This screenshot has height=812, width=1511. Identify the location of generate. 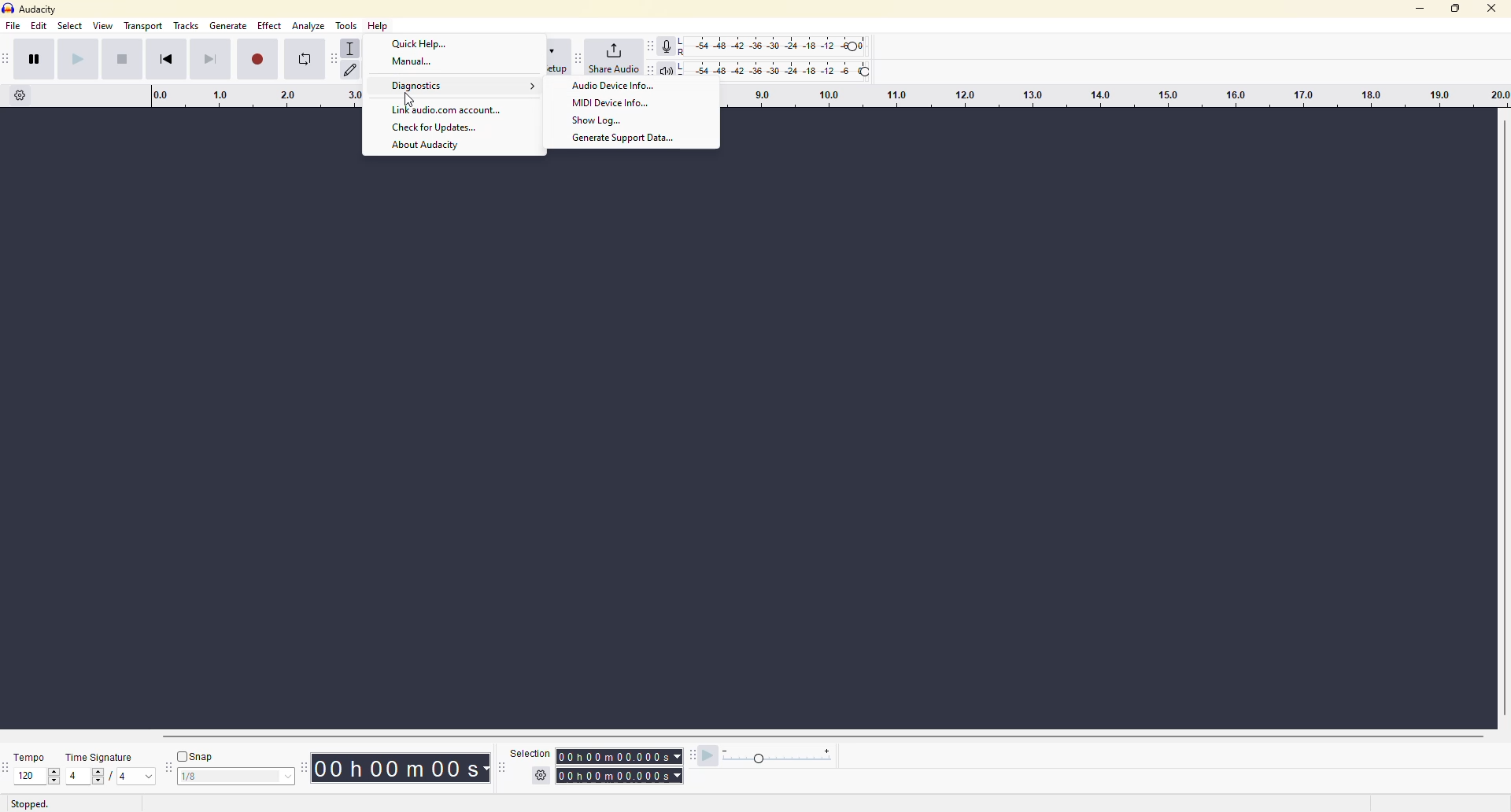
(229, 28).